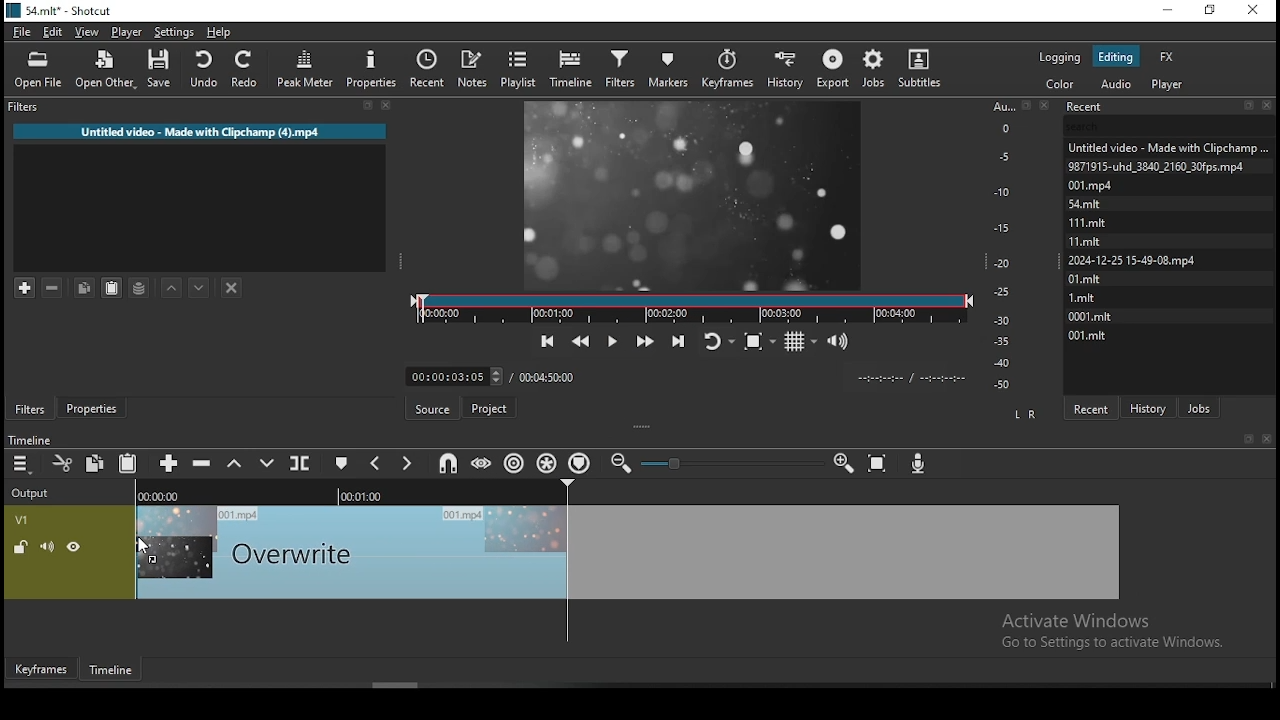 This screenshot has width=1280, height=720. Describe the element at coordinates (203, 463) in the screenshot. I see `ripple delete` at that location.